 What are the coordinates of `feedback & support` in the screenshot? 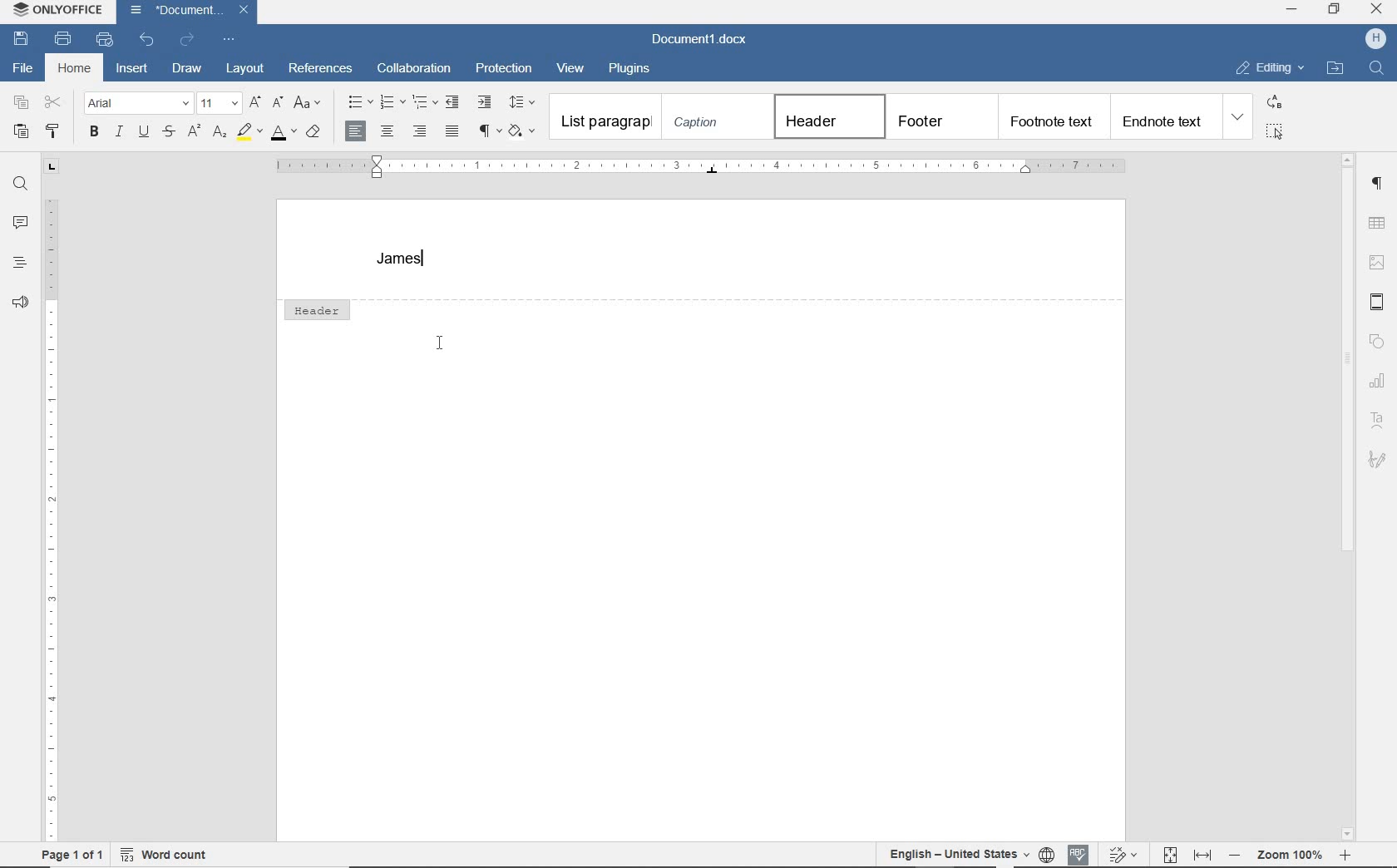 It's located at (18, 303).